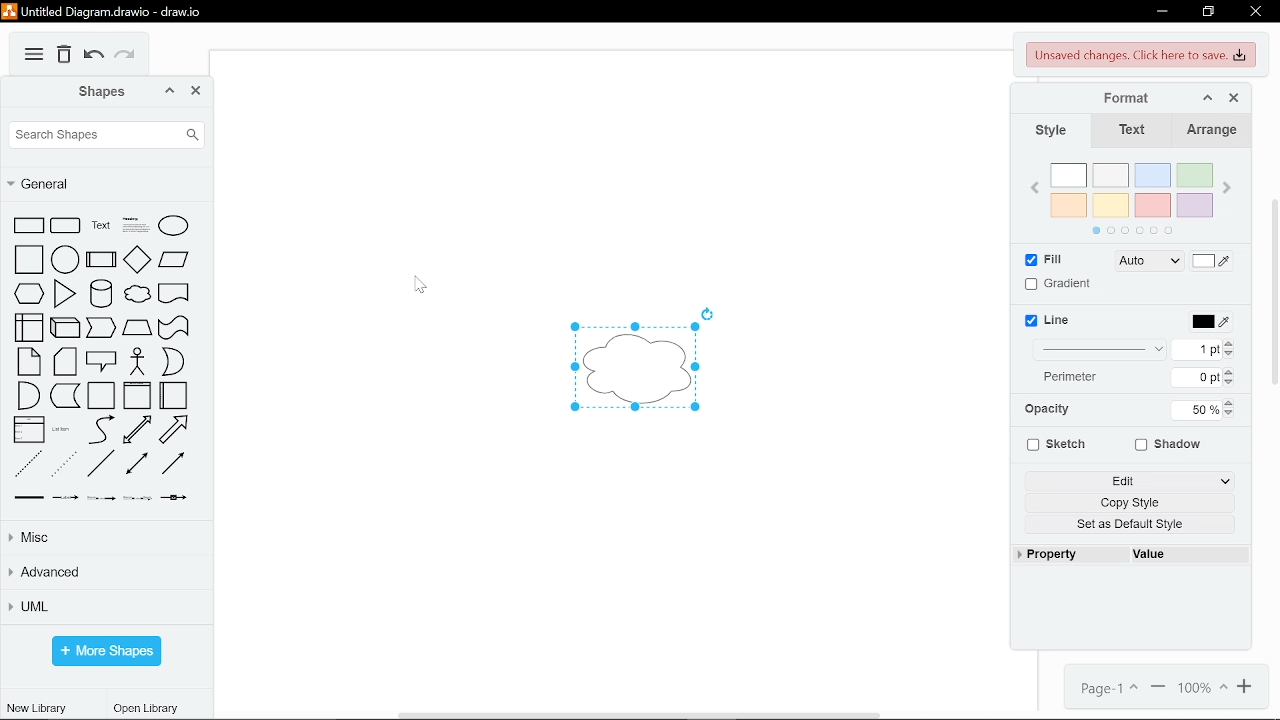 The height and width of the screenshot is (720, 1280). What do you see at coordinates (136, 294) in the screenshot?
I see `cloud` at bounding box center [136, 294].